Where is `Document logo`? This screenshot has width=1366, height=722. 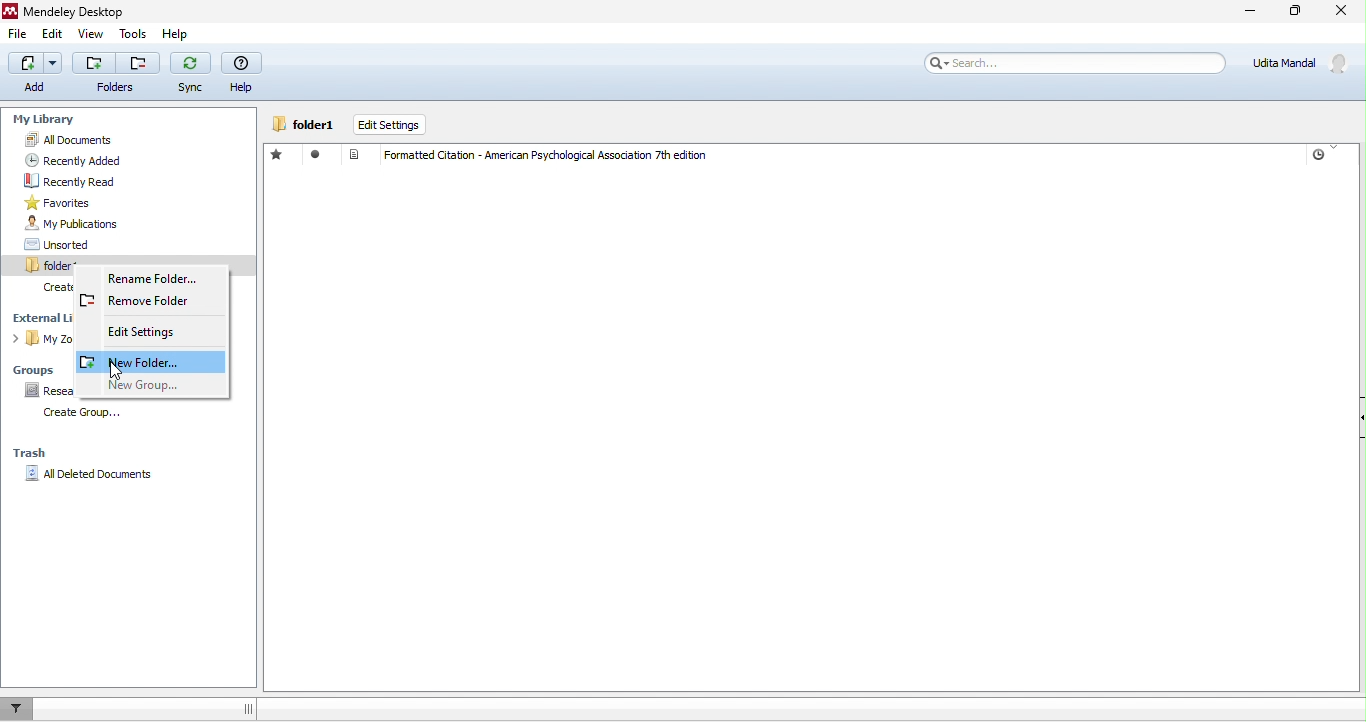
Document logo is located at coordinates (354, 154).